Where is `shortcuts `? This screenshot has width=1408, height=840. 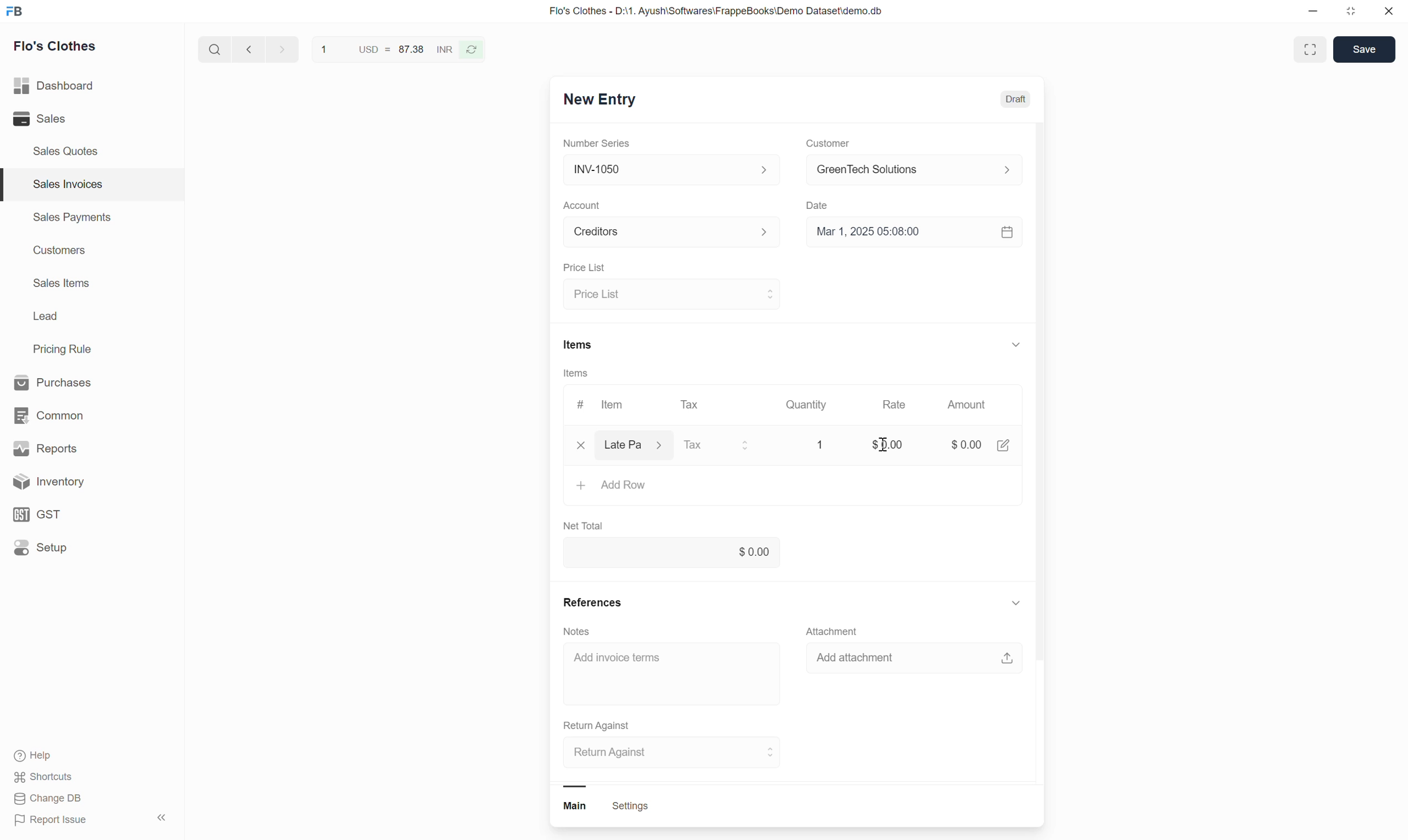 shortcuts  is located at coordinates (54, 777).